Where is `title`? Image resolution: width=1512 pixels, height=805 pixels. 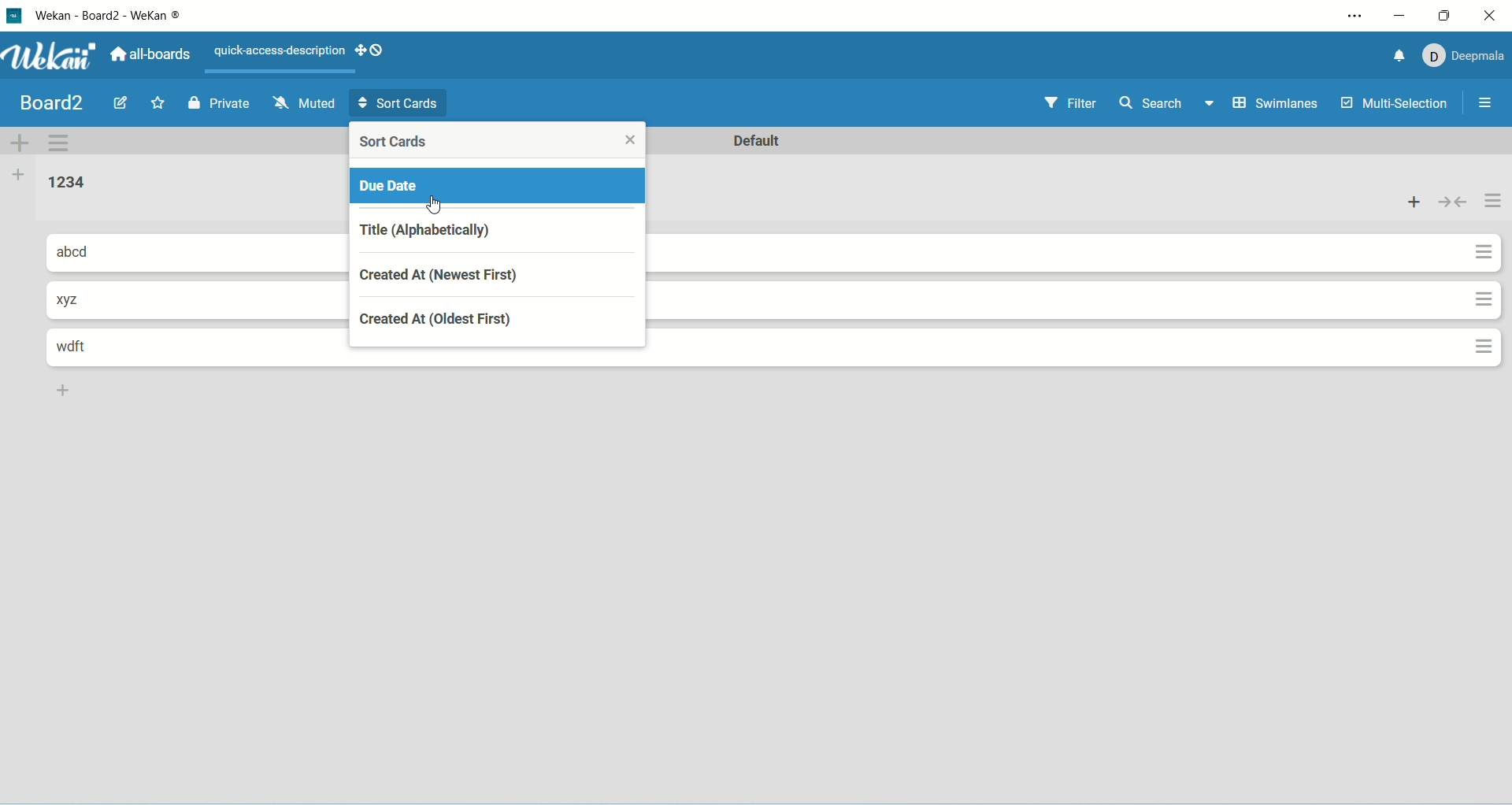
title is located at coordinates (54, 103).